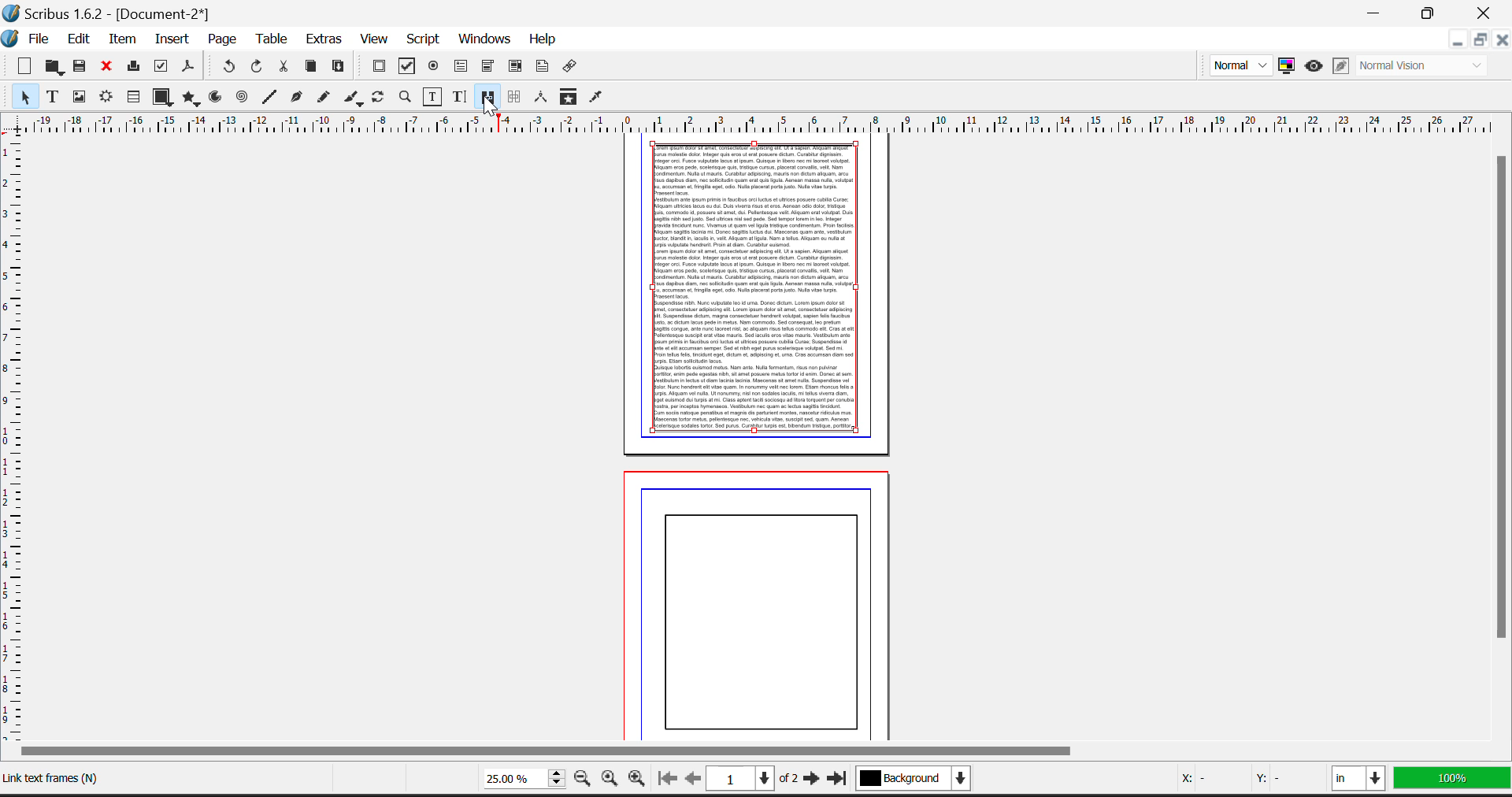 The height and width of the screenshot is (797, 1512). I want to click on Rotate Image, so click(380, 98).